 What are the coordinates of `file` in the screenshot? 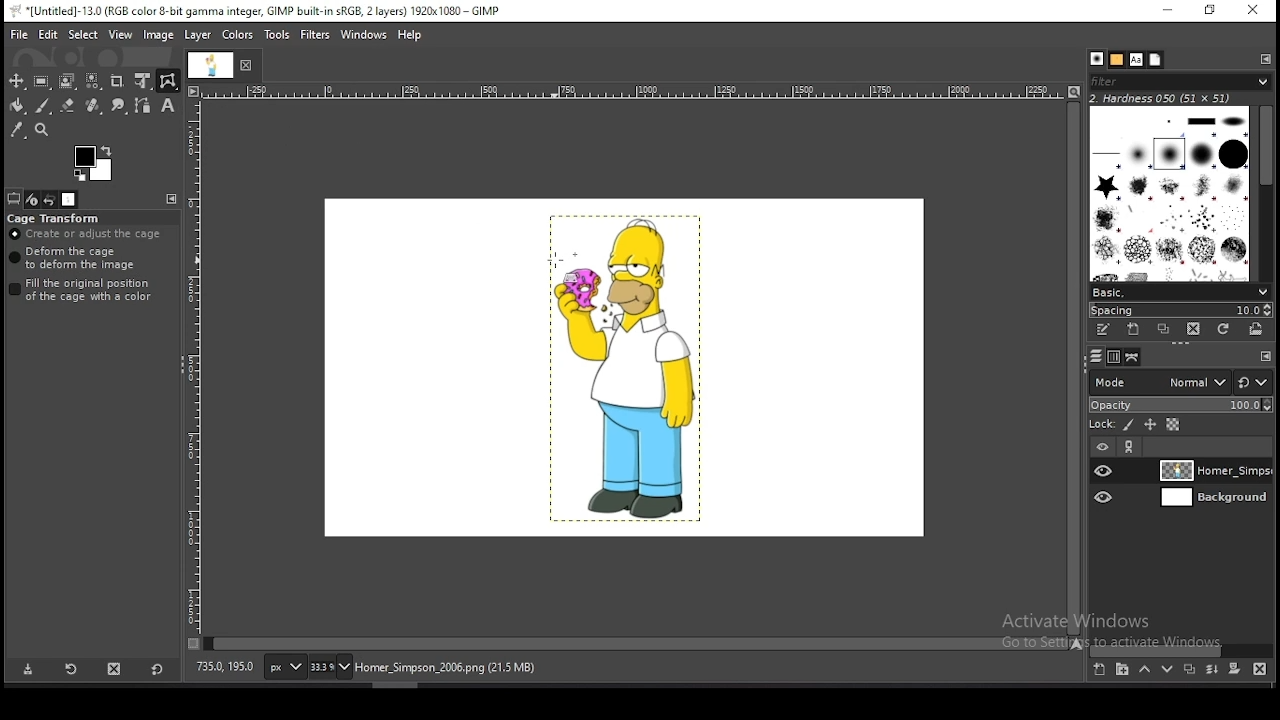 It's located at (19, 33).